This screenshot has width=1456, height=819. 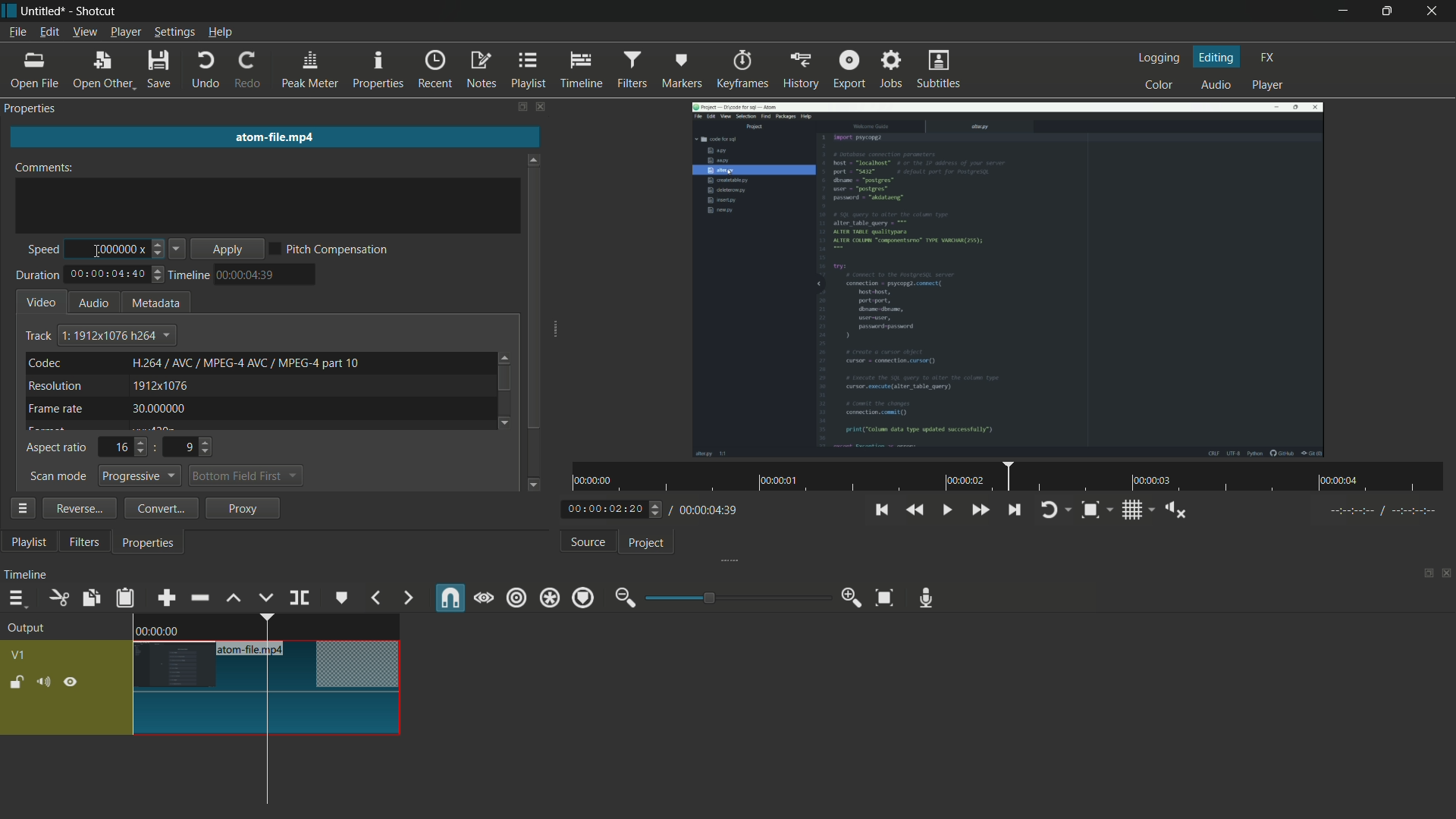 I want to click on toggle grid, so click(x=1131, y=510).